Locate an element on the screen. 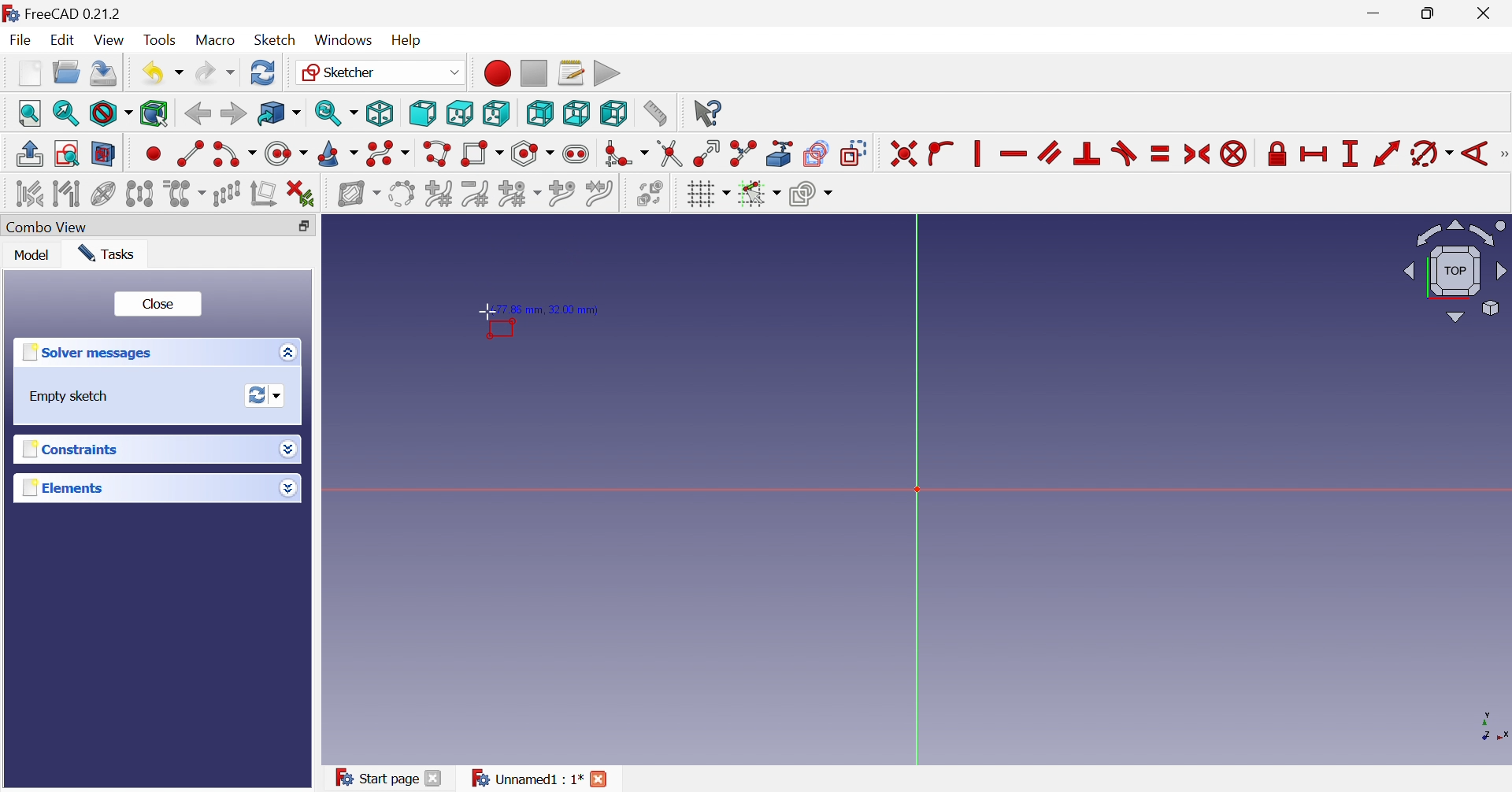 The width and height of the screenshot is (1512, 792). Create external geometry is located at coordinates (781, 153).